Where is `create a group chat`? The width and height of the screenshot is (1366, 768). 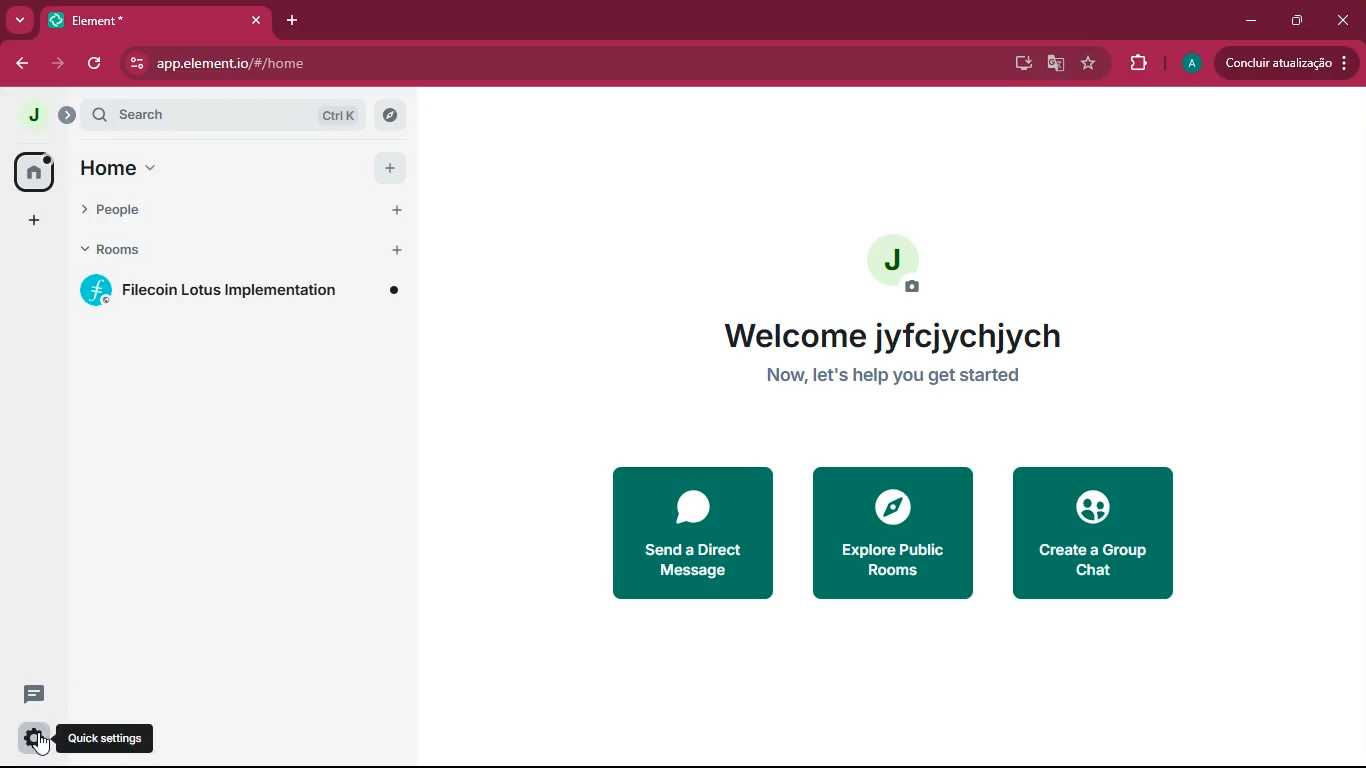
create a group chat is located at coordinates (1090, 535).